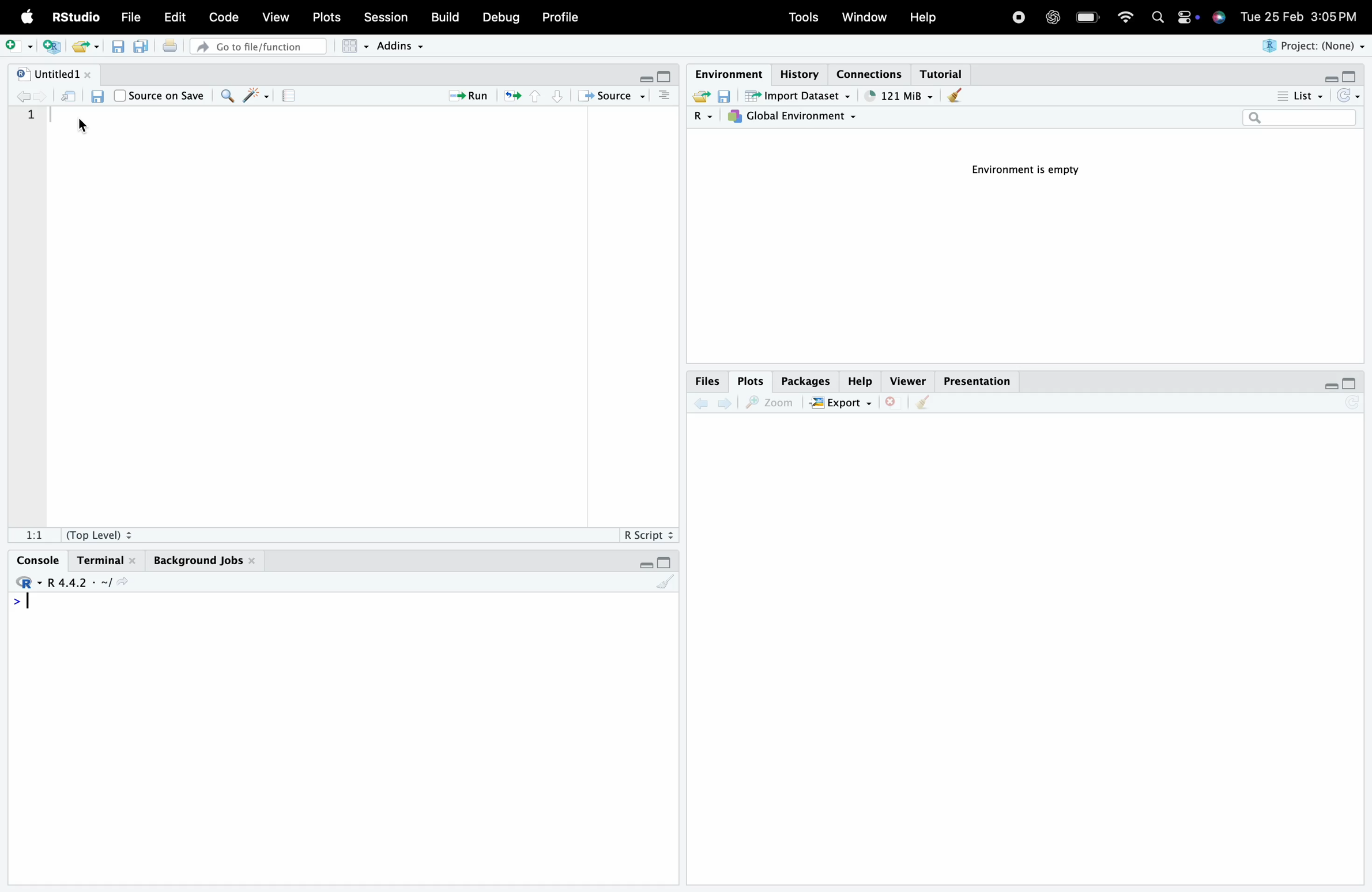 The image size is (1372, 892). Describe the element at coordinates (700, 96) in the screenshot. I see `Load workspace` at that location.